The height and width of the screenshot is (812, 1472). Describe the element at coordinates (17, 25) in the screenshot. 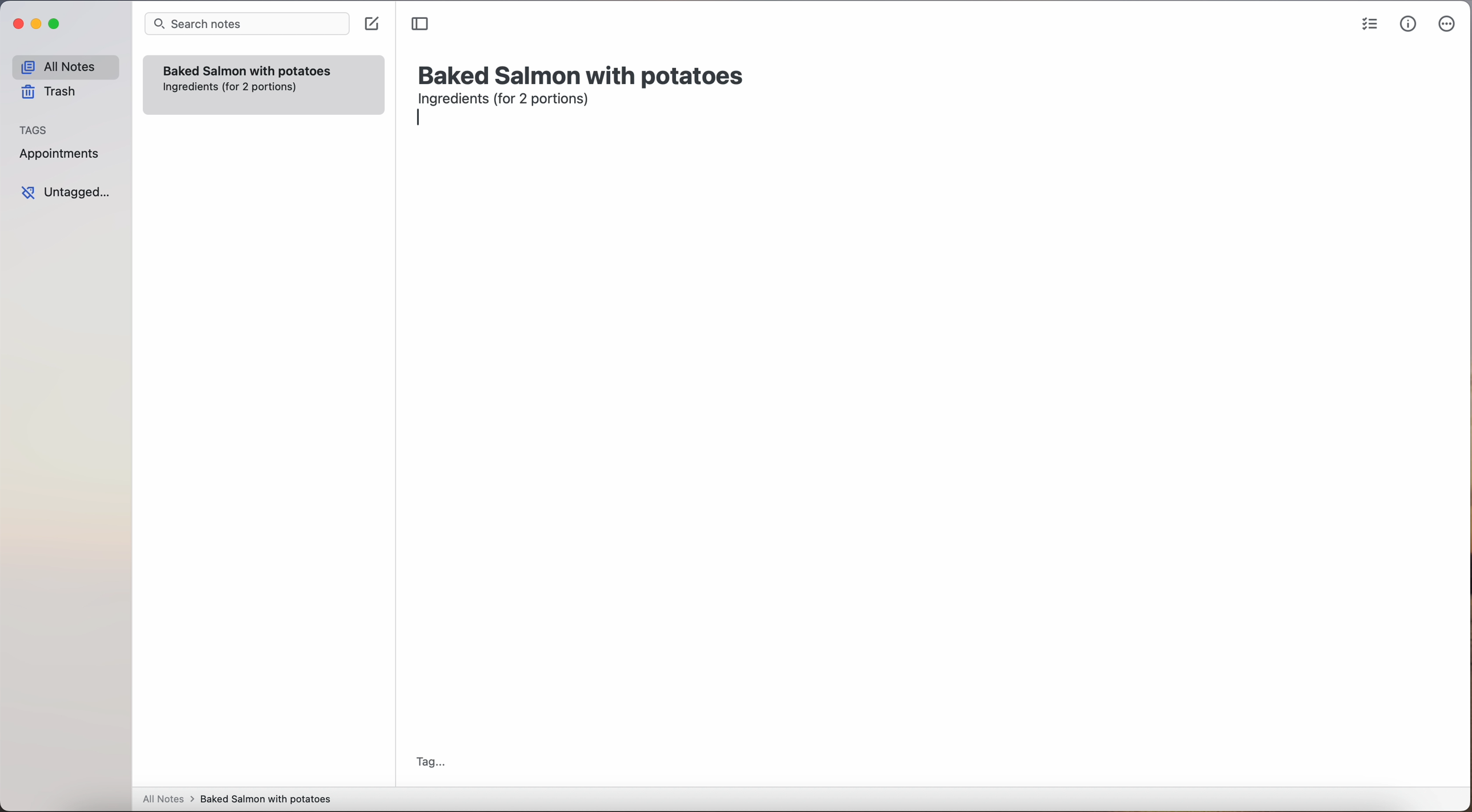

I see `close Simplenote` at that location.